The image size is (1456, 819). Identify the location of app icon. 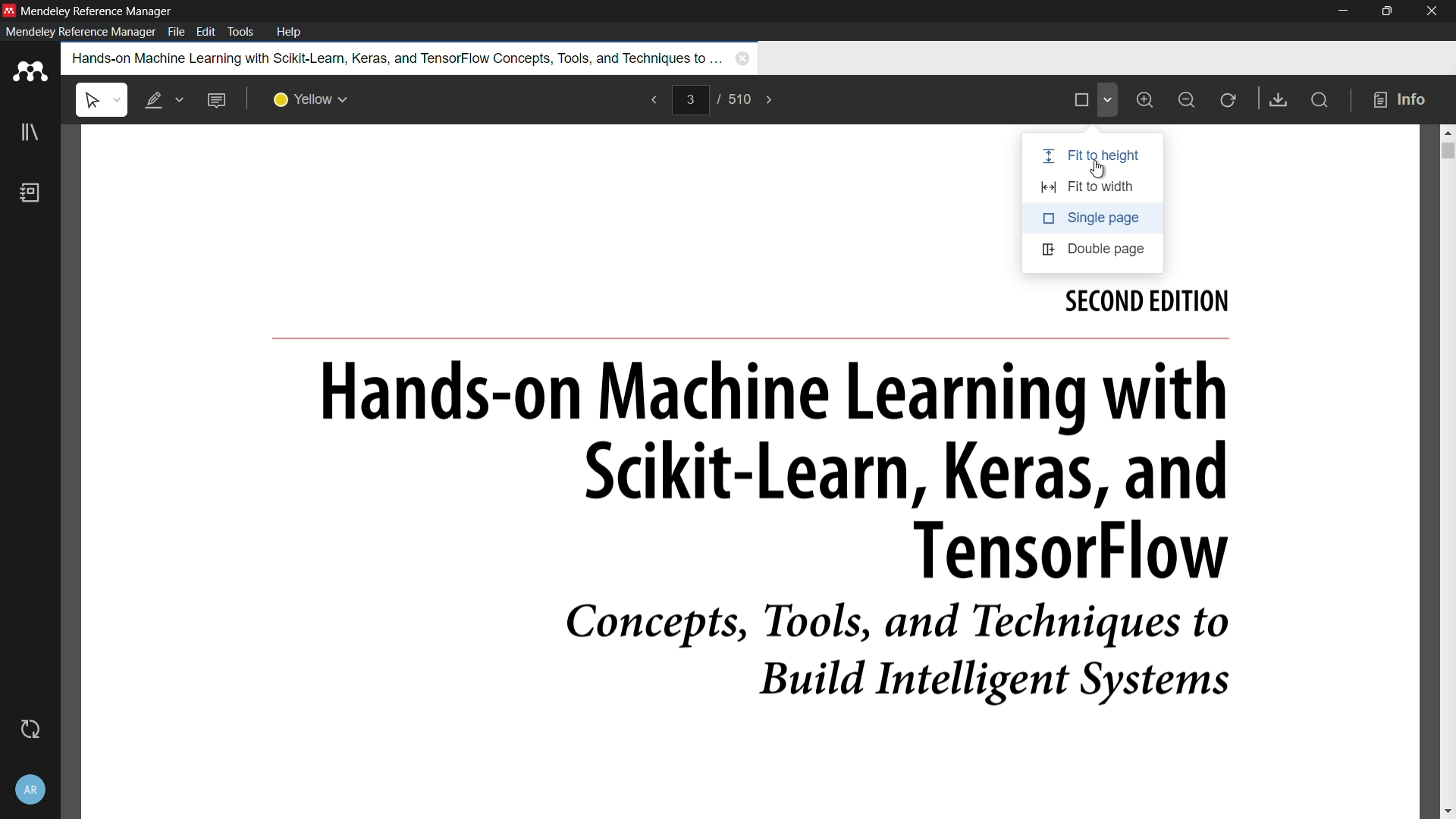
(9, 11).